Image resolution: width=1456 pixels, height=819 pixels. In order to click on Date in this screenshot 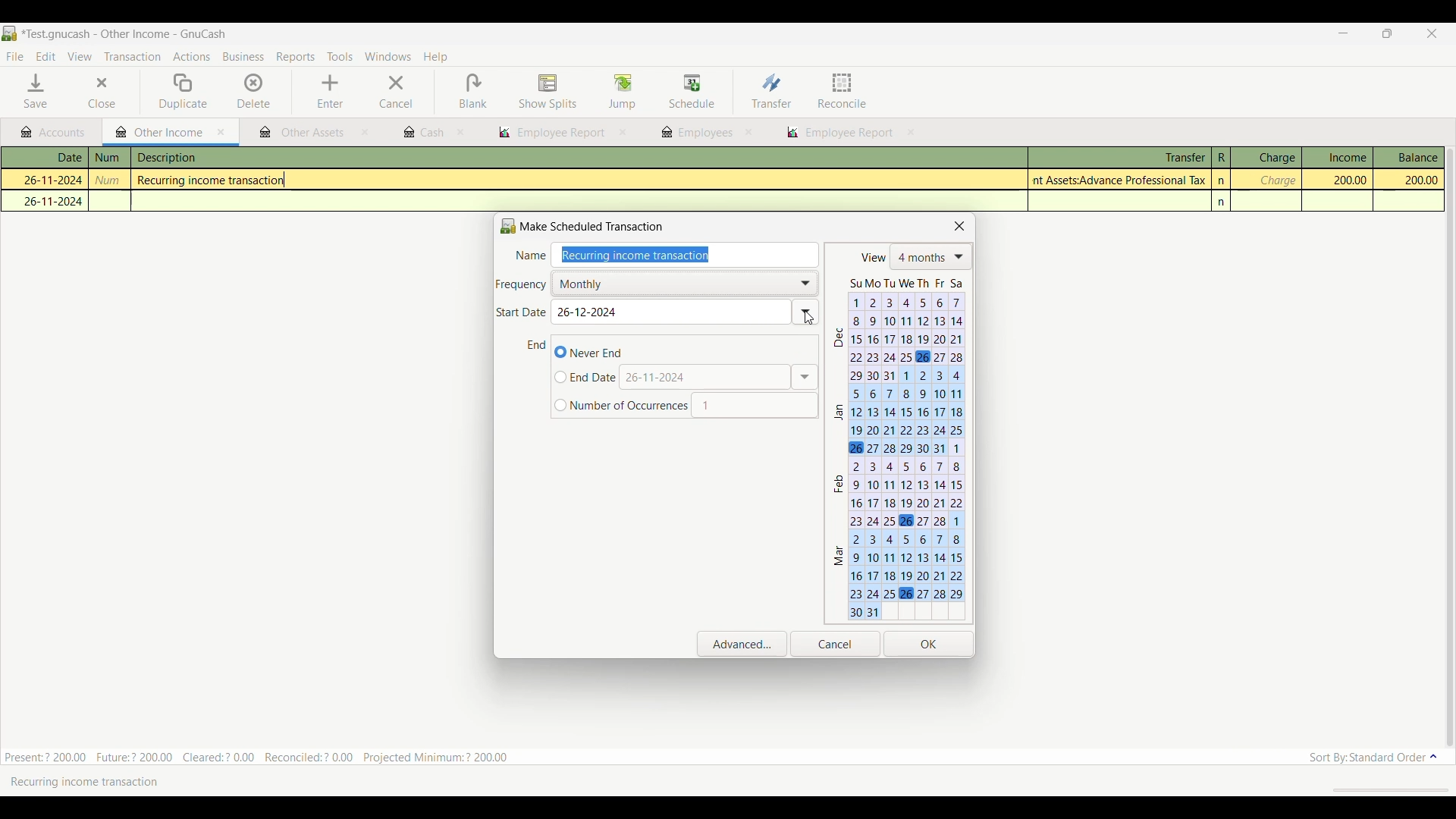, I will do `click(53, 158)`.